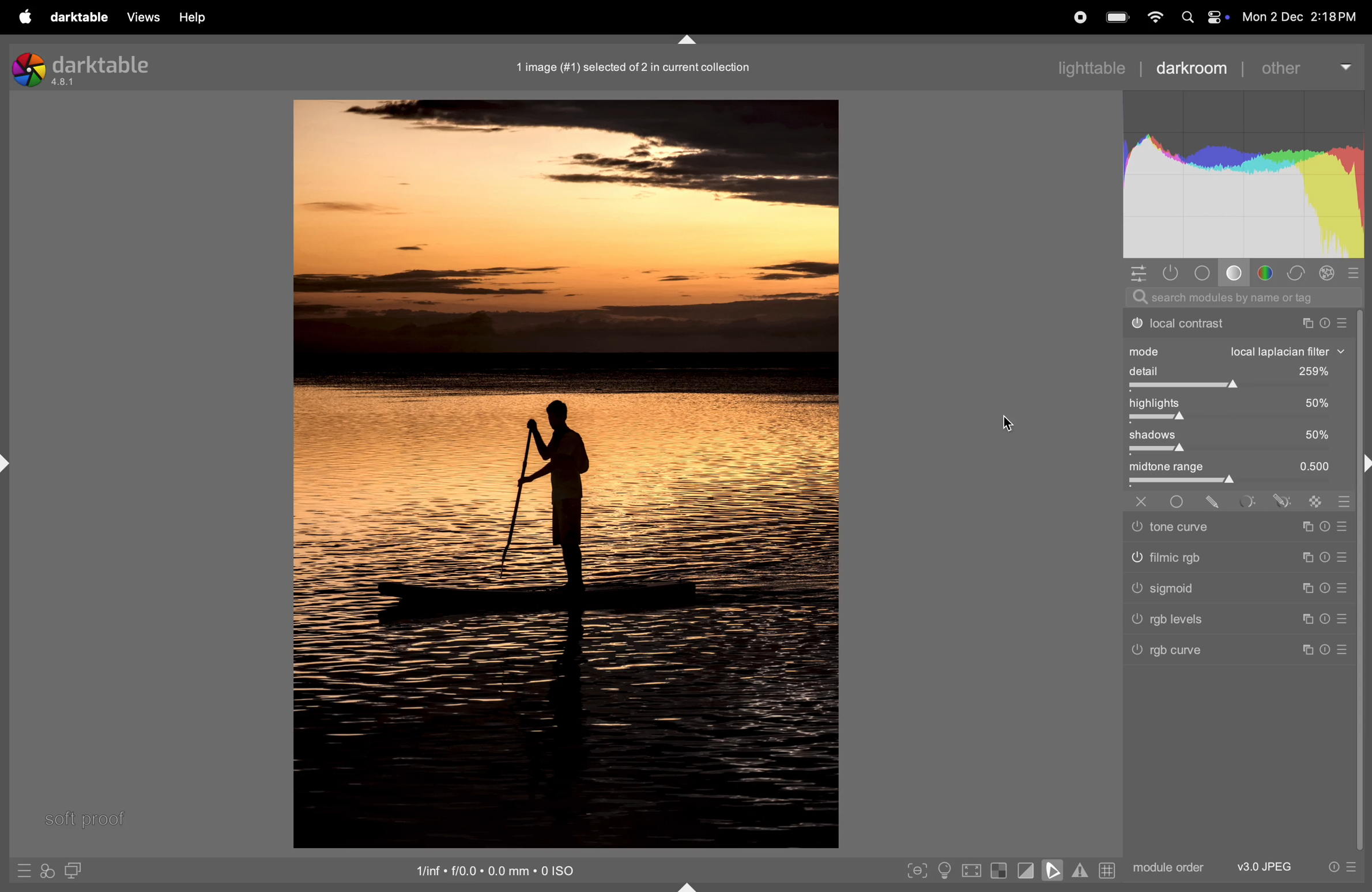 The width and height of the screenshot is (1372, 892). I want to click on , so click(1189, 589).